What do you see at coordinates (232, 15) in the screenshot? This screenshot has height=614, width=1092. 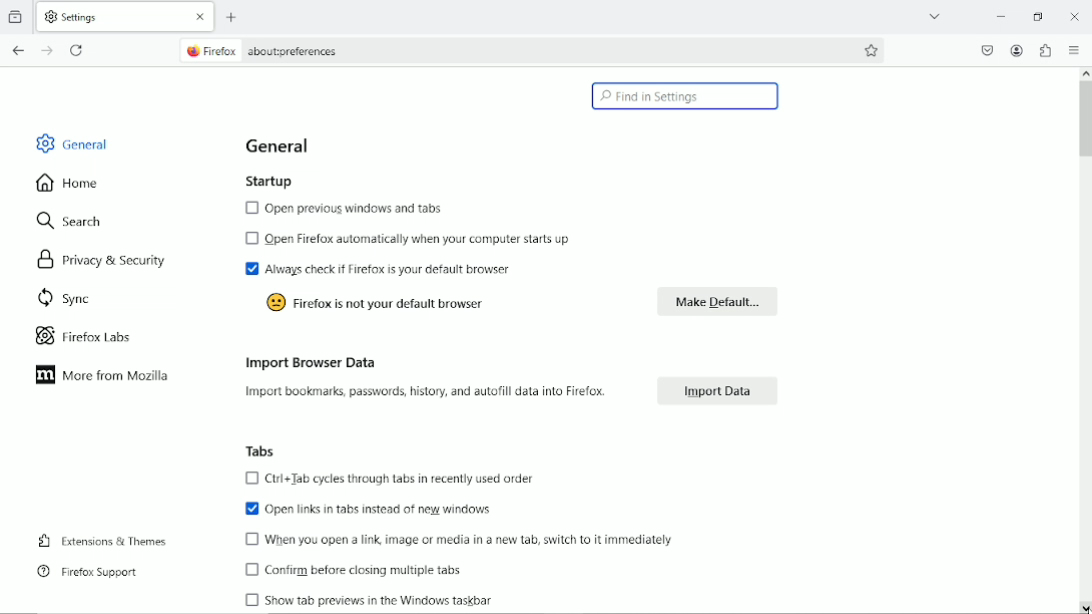 I see `New tab` at bounding box center [232, 15].